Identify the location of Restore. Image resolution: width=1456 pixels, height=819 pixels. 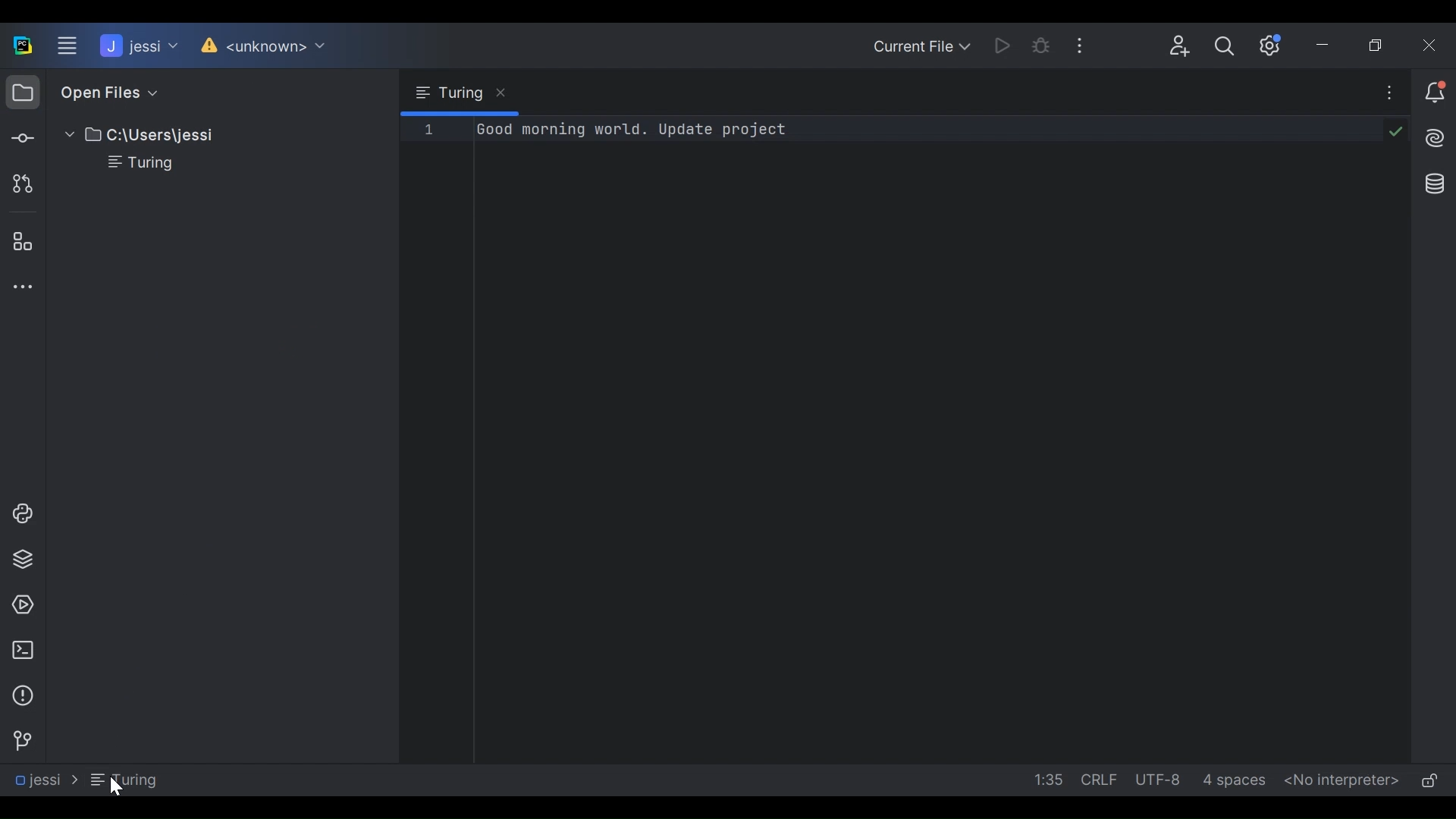
(1380, 45).